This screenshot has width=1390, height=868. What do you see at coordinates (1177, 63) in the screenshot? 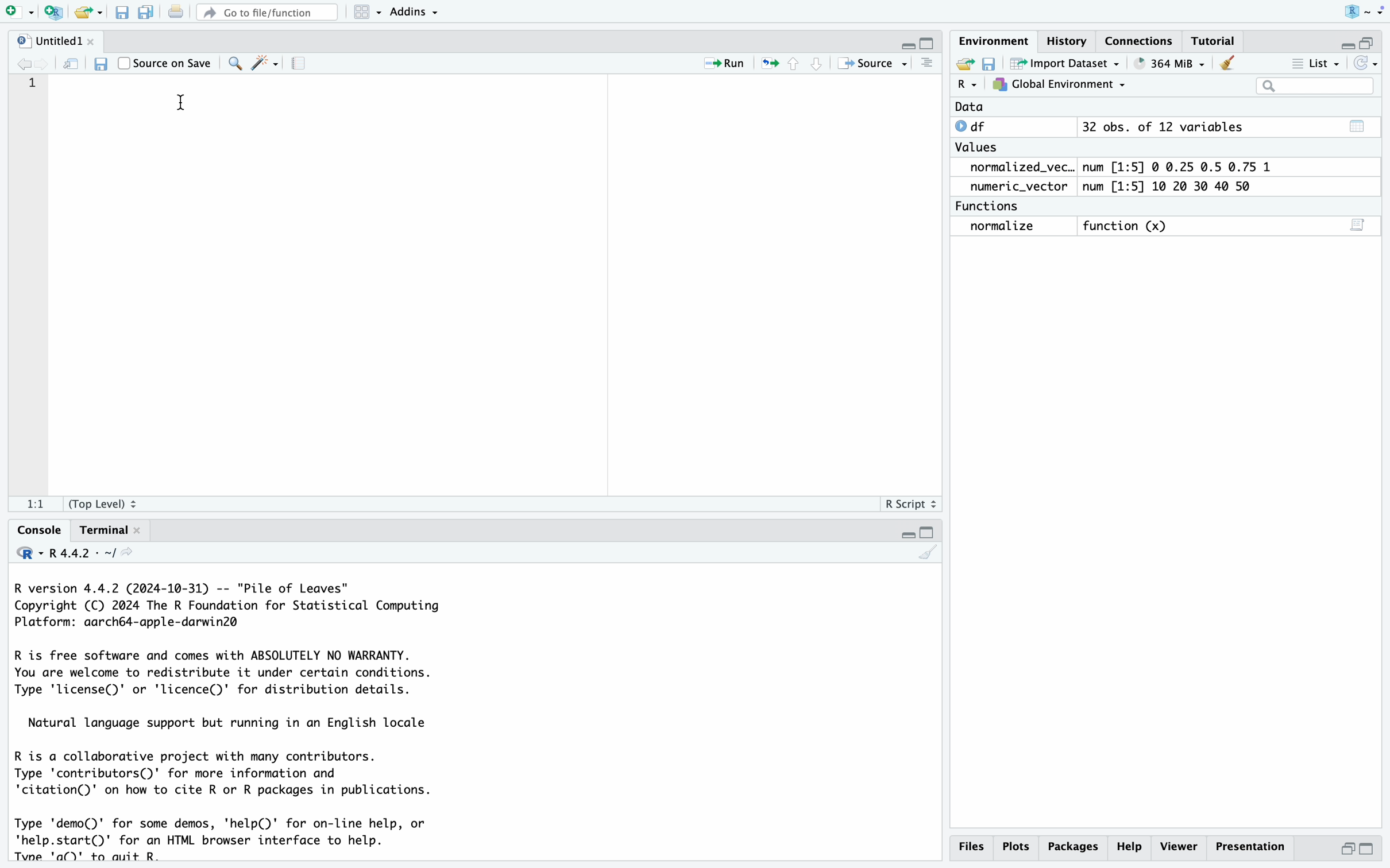
I see `653 MB` at bounding box center [1177, 63].